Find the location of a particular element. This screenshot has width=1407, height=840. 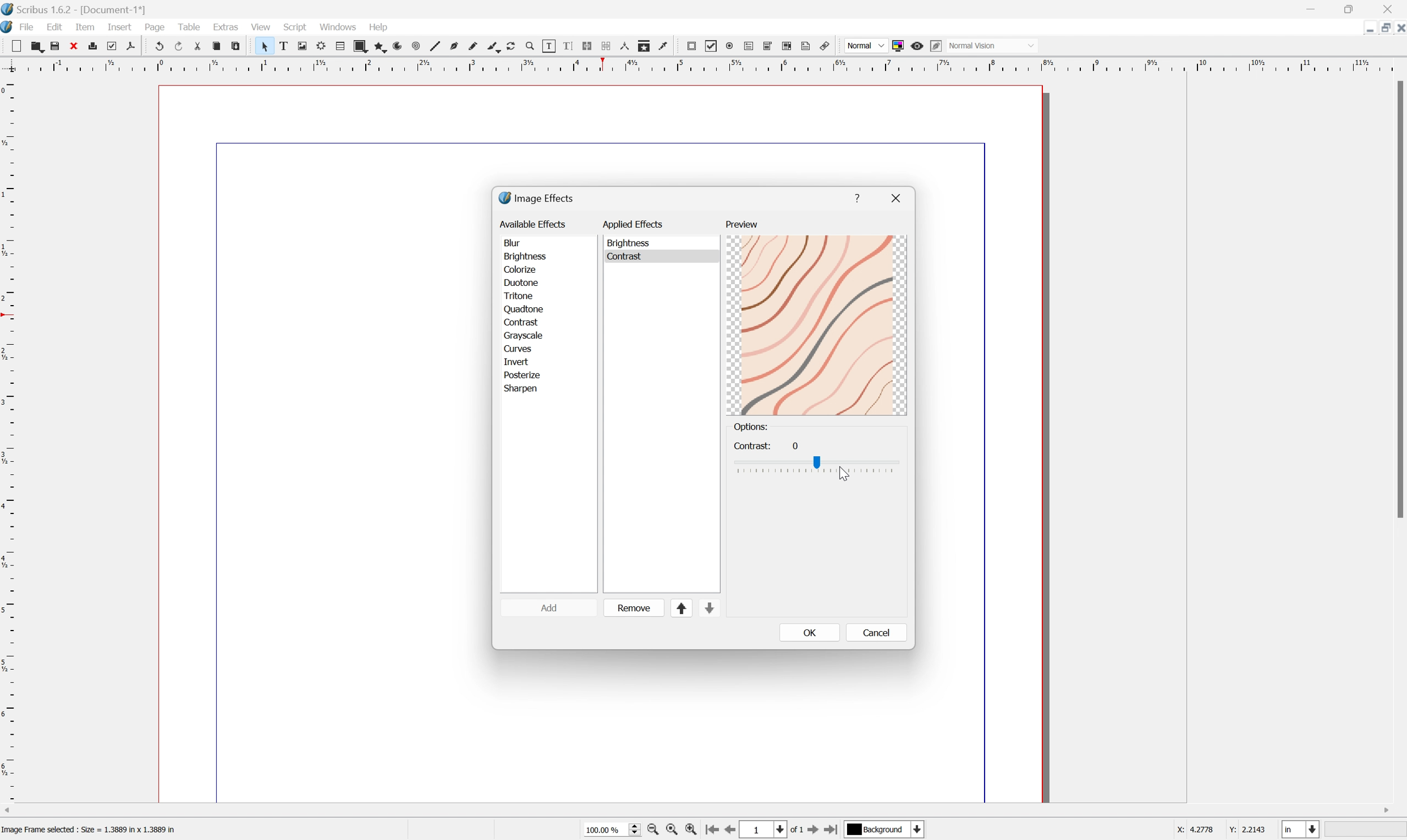

Contrast Slider is located at coordinates (818, 466).